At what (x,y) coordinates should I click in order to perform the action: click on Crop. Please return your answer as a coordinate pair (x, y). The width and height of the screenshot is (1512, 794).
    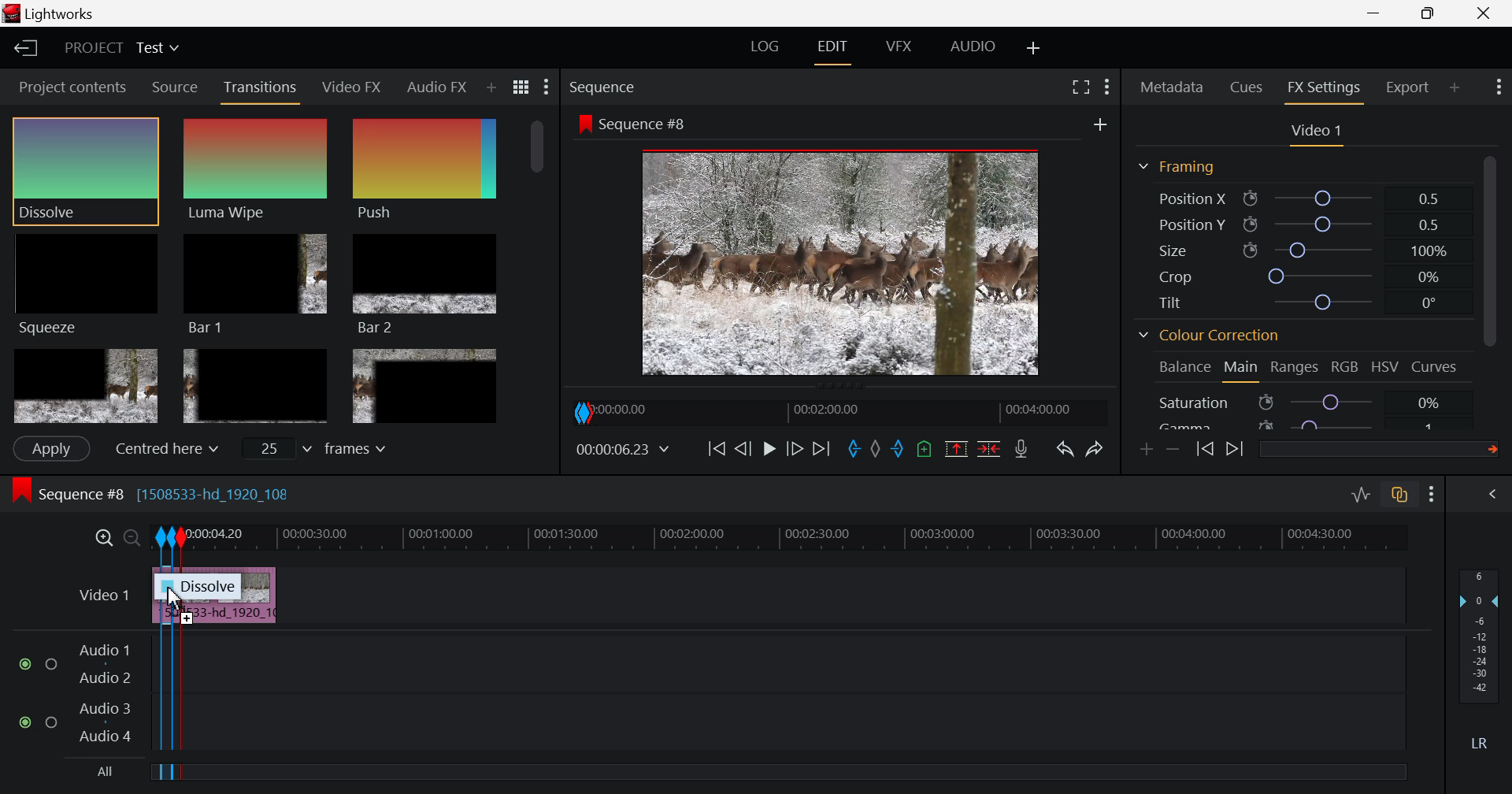
    Looking at the image, I should click on (1300, 276).